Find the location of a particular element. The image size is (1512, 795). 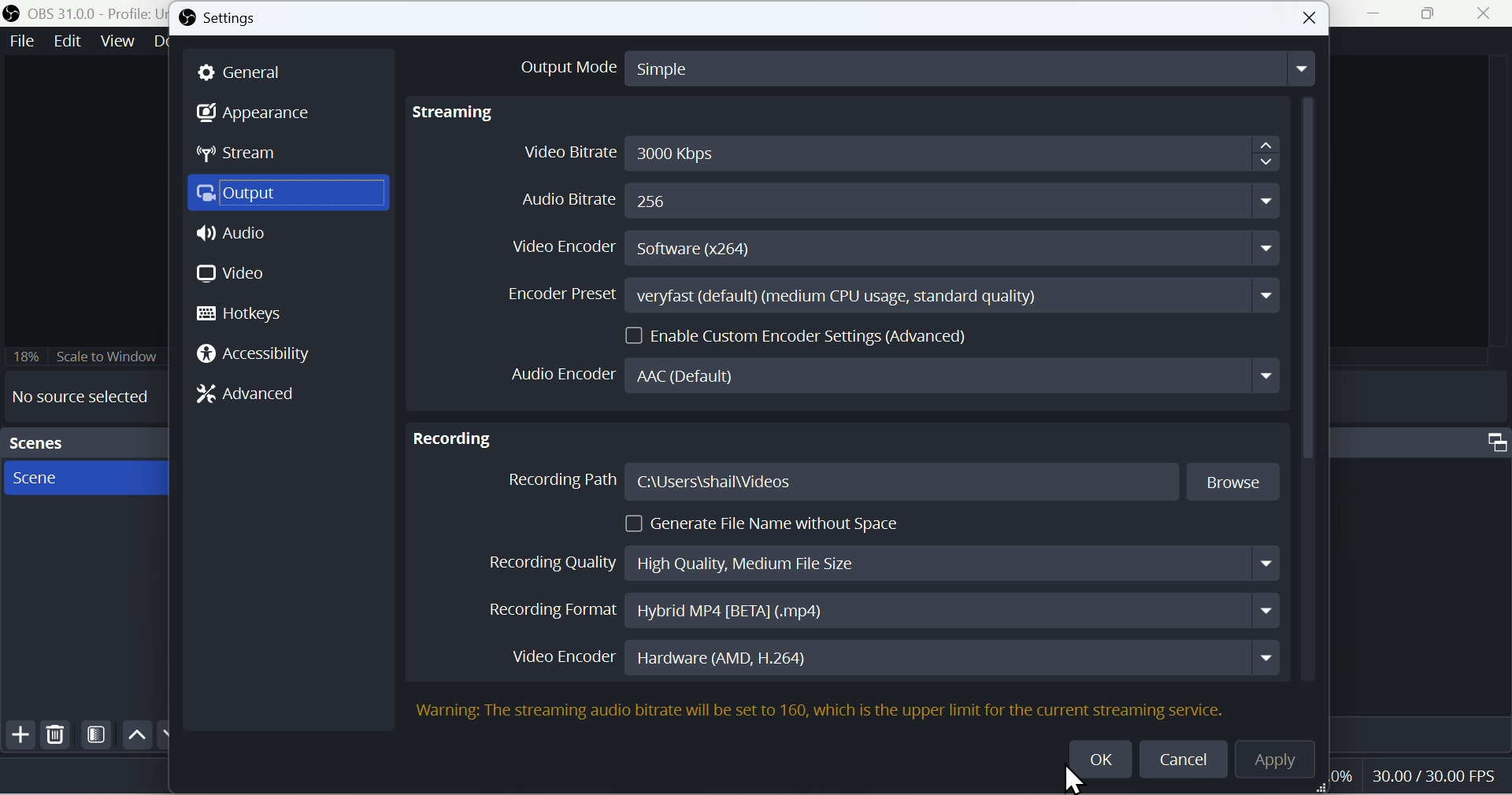

Output Mode is located at coordinates (900, 66).